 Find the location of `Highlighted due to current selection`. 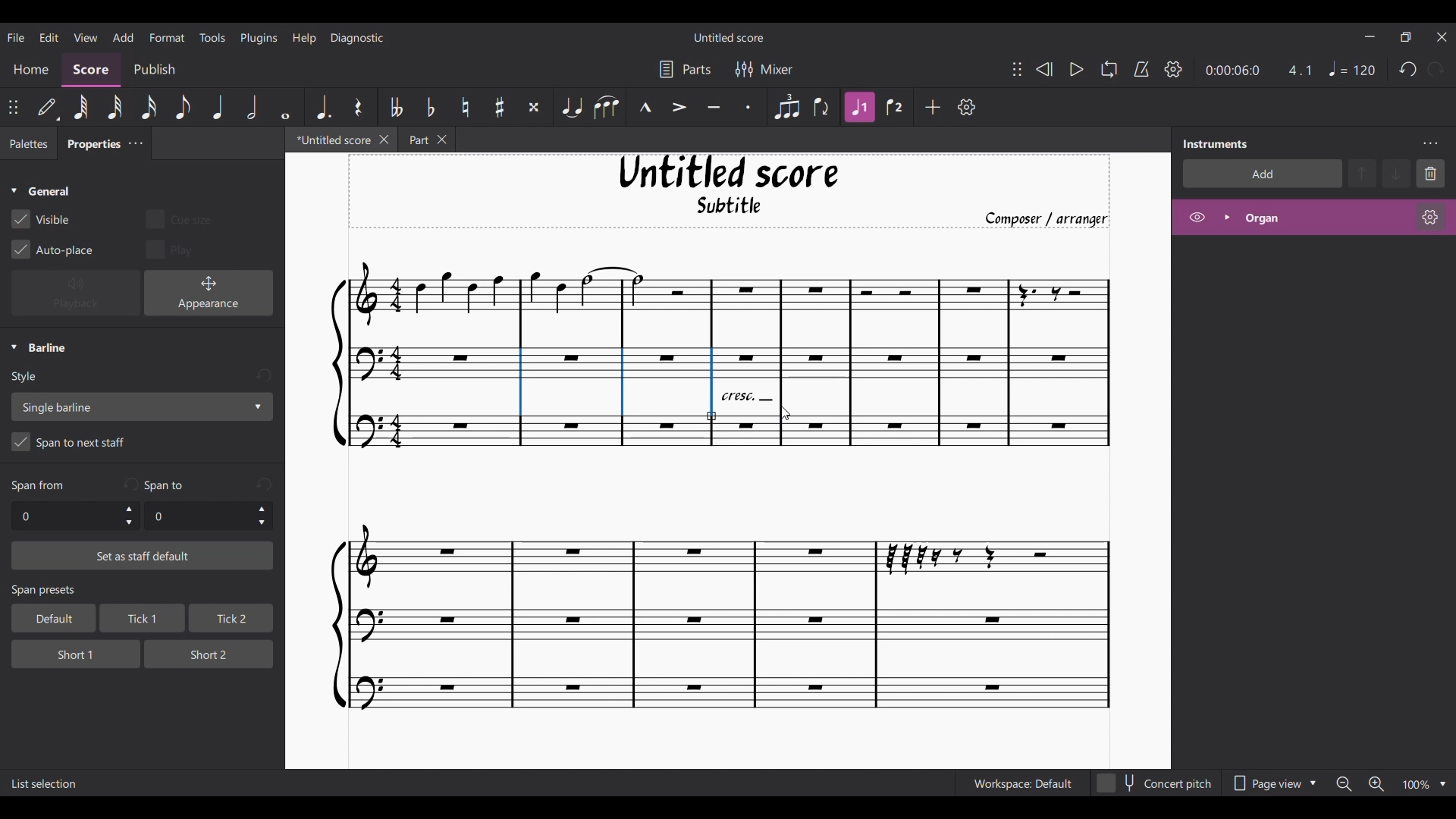

Highlighted due to current selection is located at coordinates (859, 107).